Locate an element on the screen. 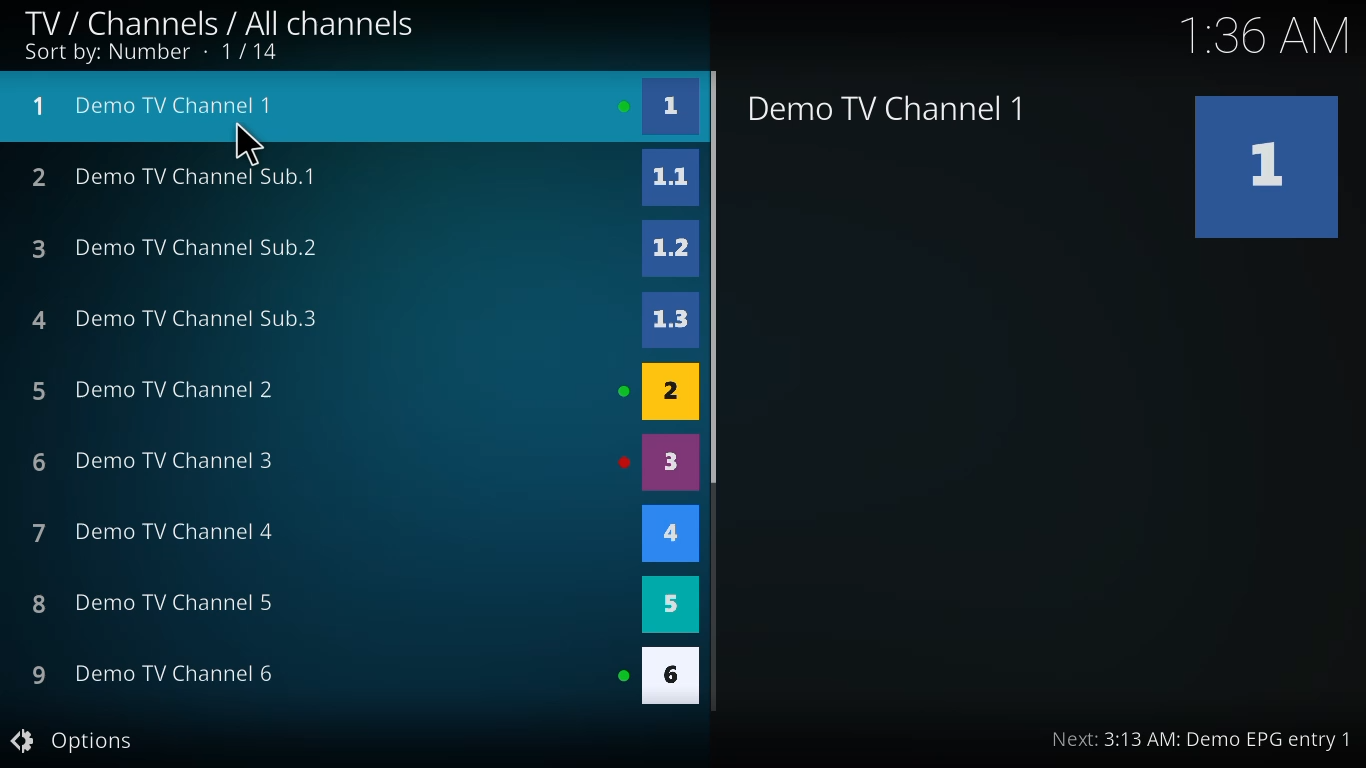 The height and width of the screenshot is (768, 1366). cursor is located at coordinates (253, 143).